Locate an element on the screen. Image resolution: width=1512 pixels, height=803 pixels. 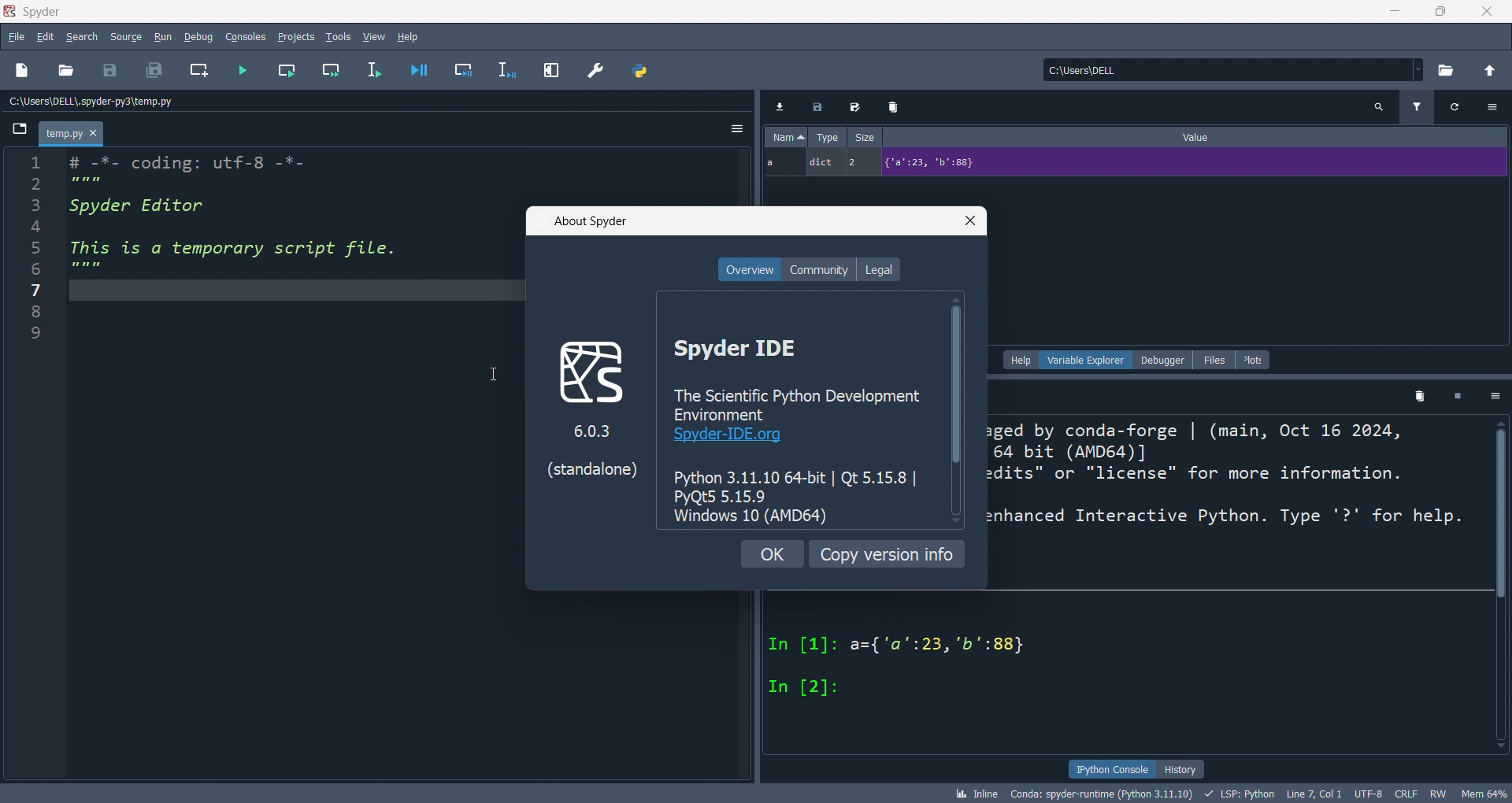
Search is located at coordinates (1378, 108).